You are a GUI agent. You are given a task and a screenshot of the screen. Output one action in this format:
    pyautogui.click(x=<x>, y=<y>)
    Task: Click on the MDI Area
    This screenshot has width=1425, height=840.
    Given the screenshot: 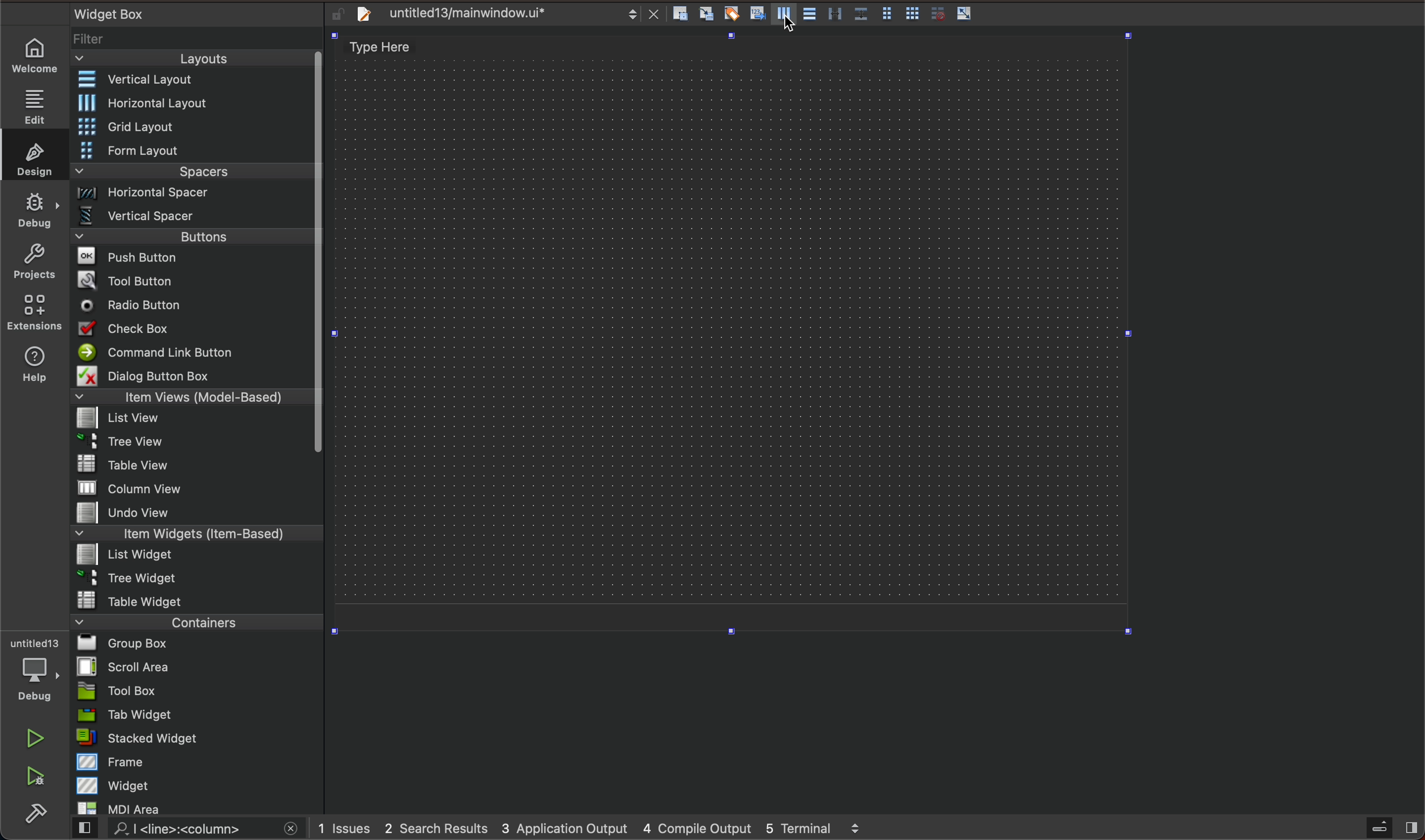 What is the action you would take?
    pyautogui.click(x=190, y=808)
    